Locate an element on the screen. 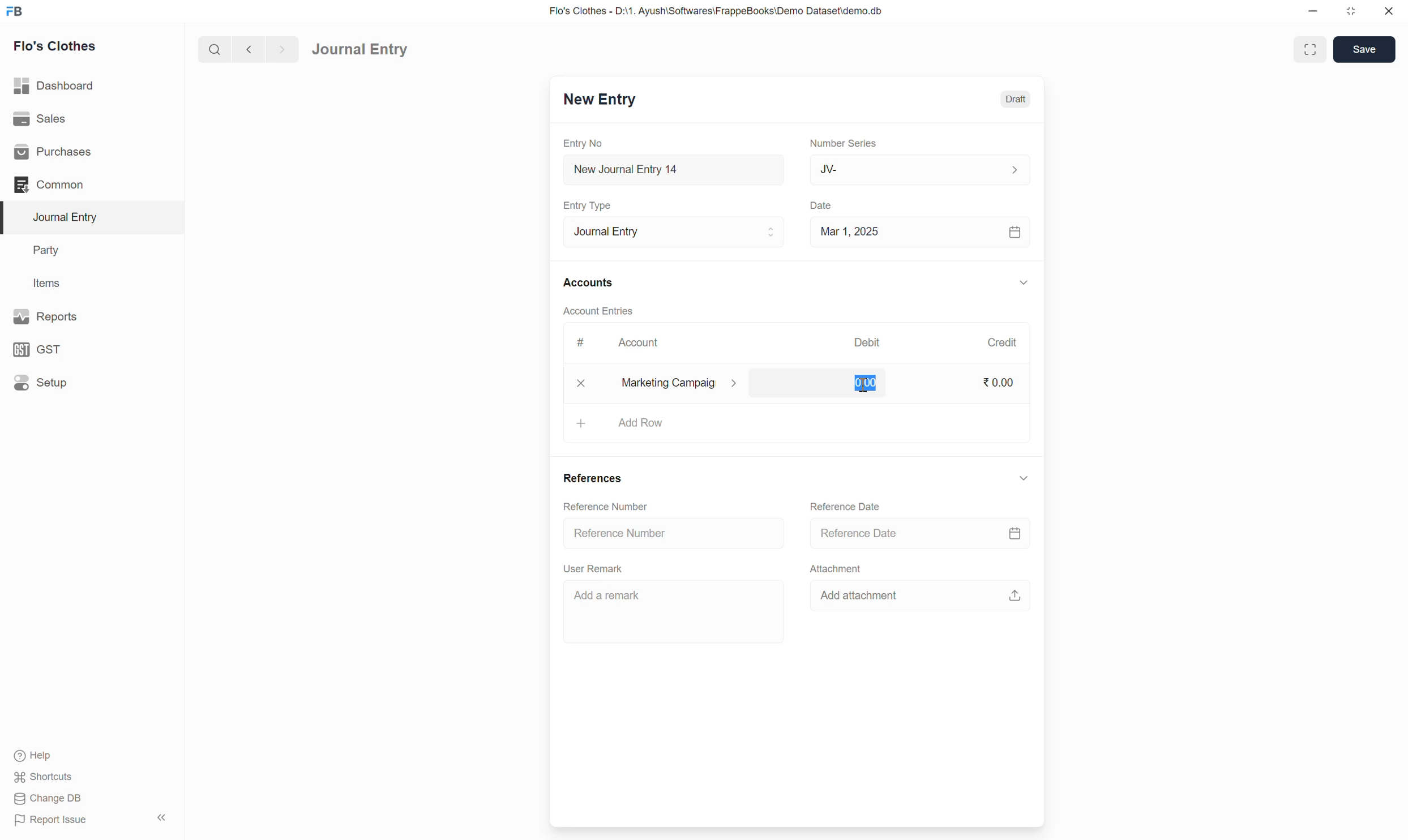  References is located at coordinates (593, 479).